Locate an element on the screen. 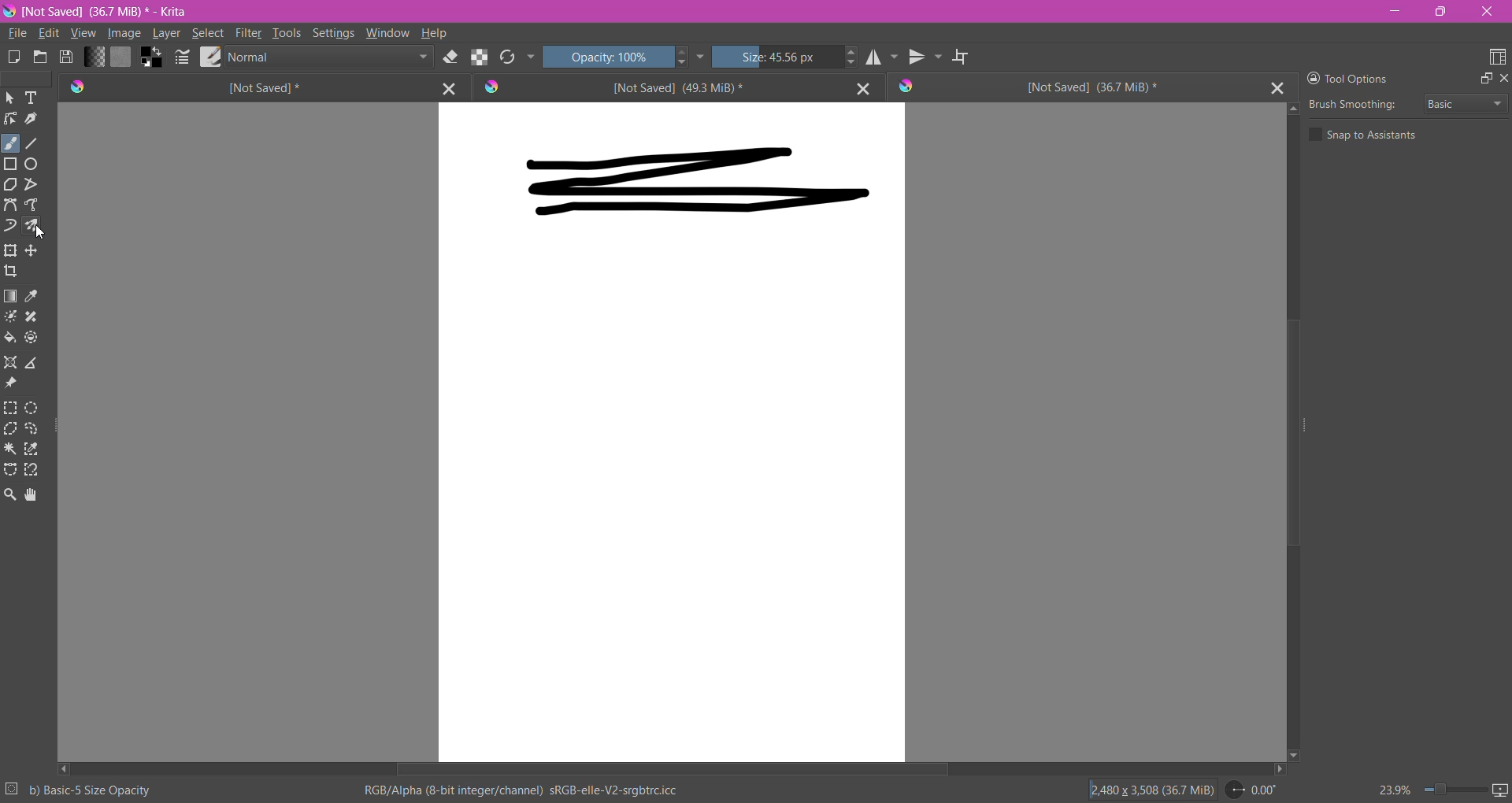 This screenshot has width=1512, height=803. Assistant Tool  is located at coordinates (11, 362).